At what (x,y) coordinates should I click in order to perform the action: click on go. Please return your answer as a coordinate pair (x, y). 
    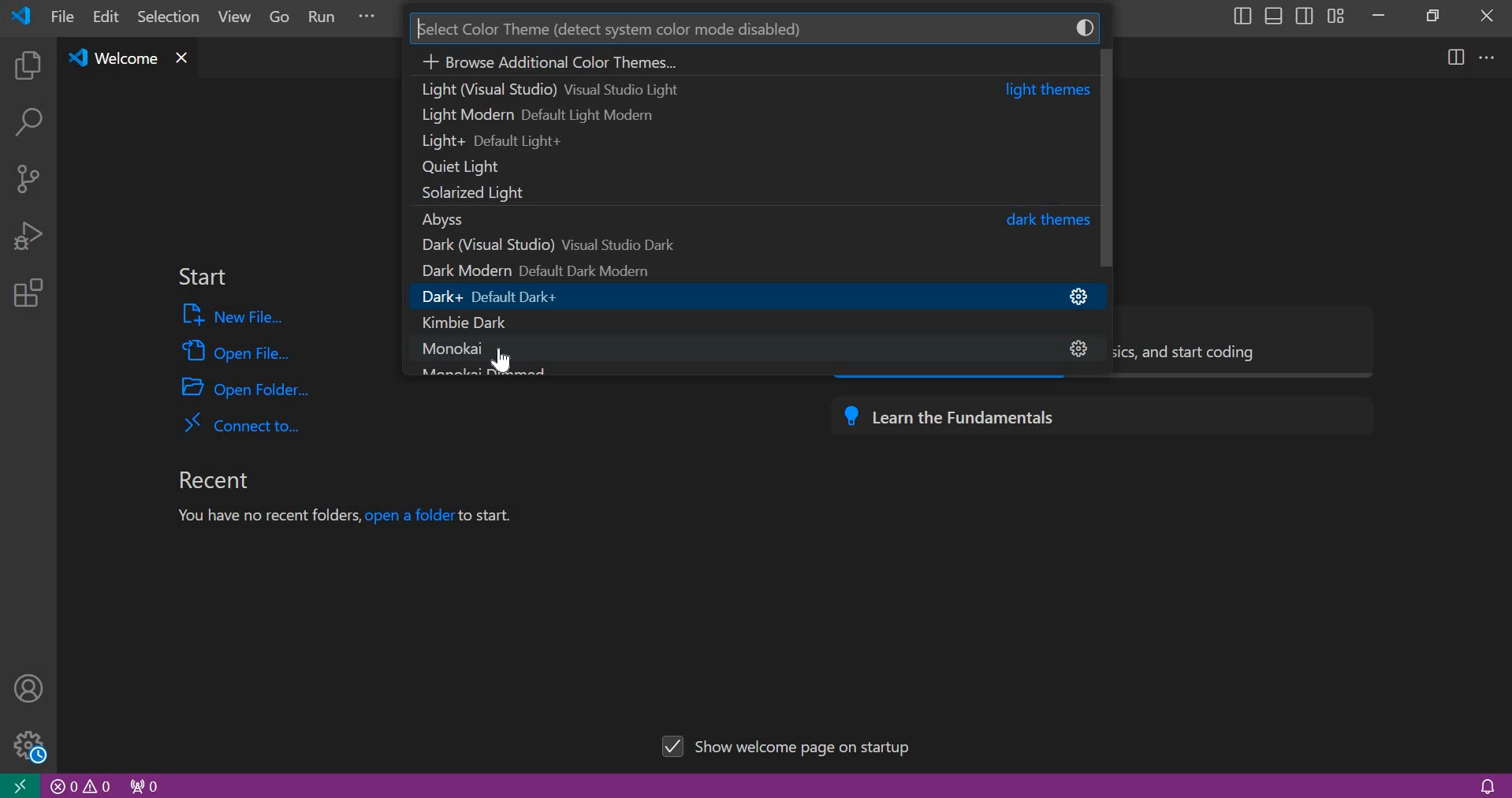
    Looking at the image, I should click on (280, 19).